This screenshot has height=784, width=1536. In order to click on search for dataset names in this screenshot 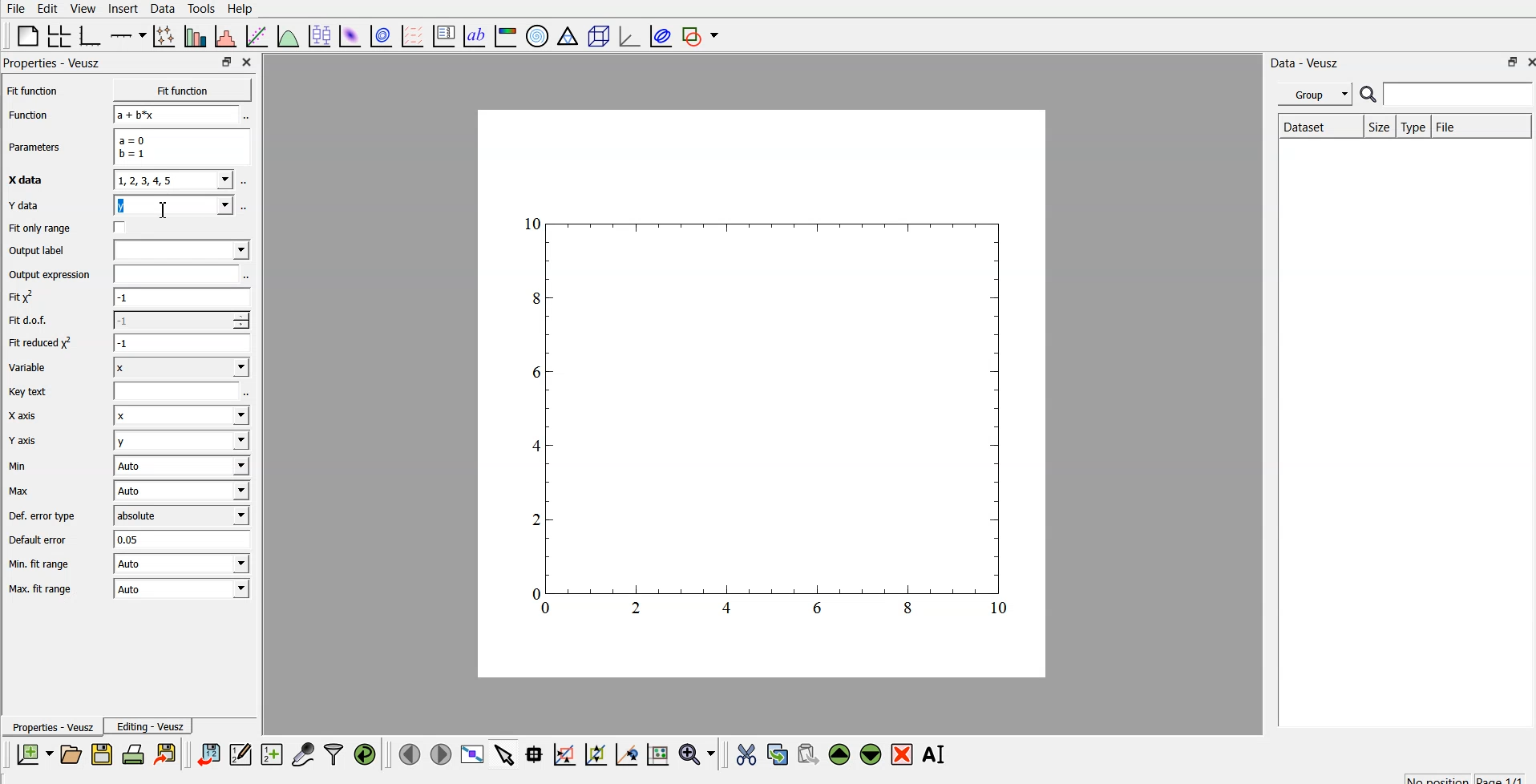, I will do `click(1457, 94)`.